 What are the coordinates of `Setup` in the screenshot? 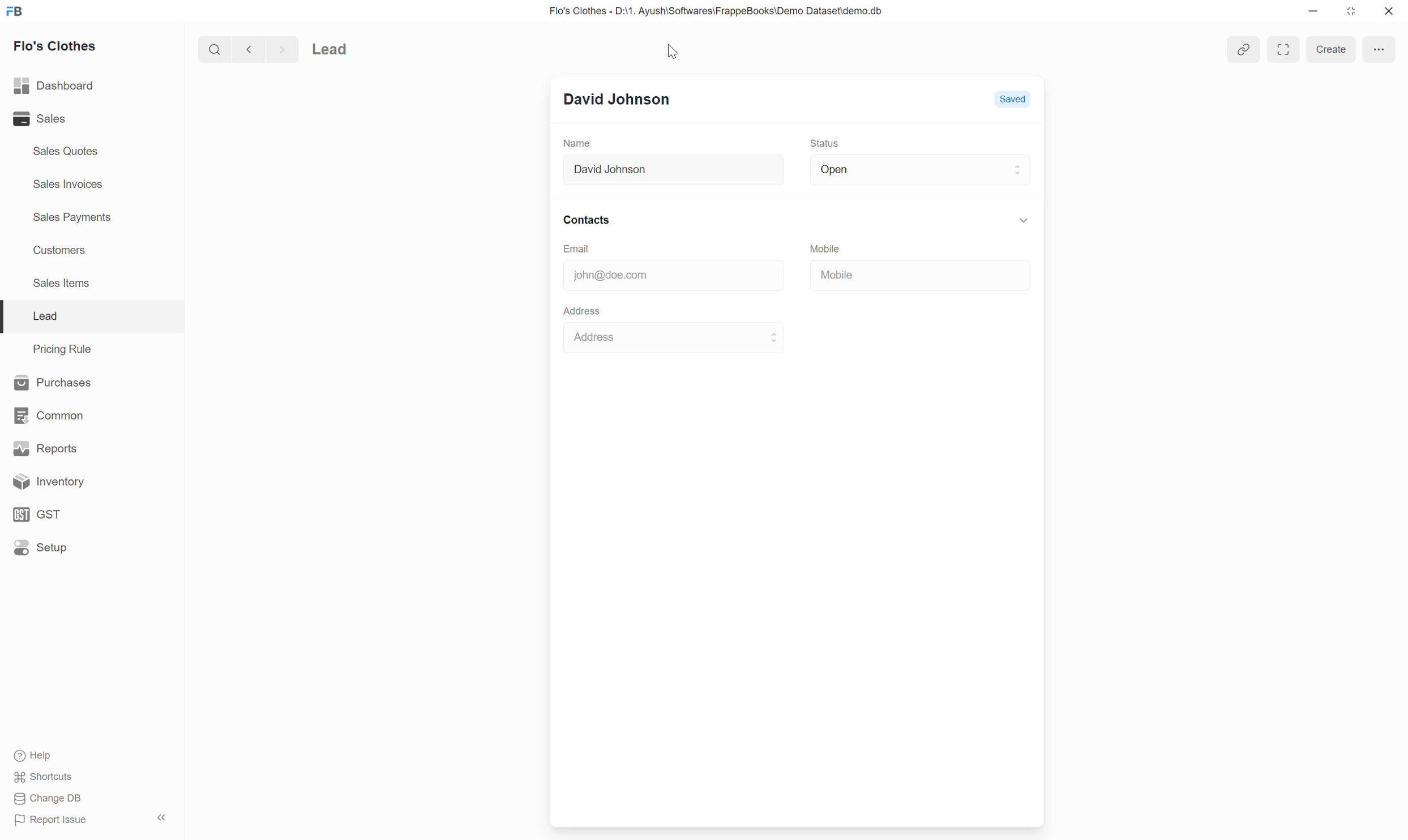 It's located at (41, 548).